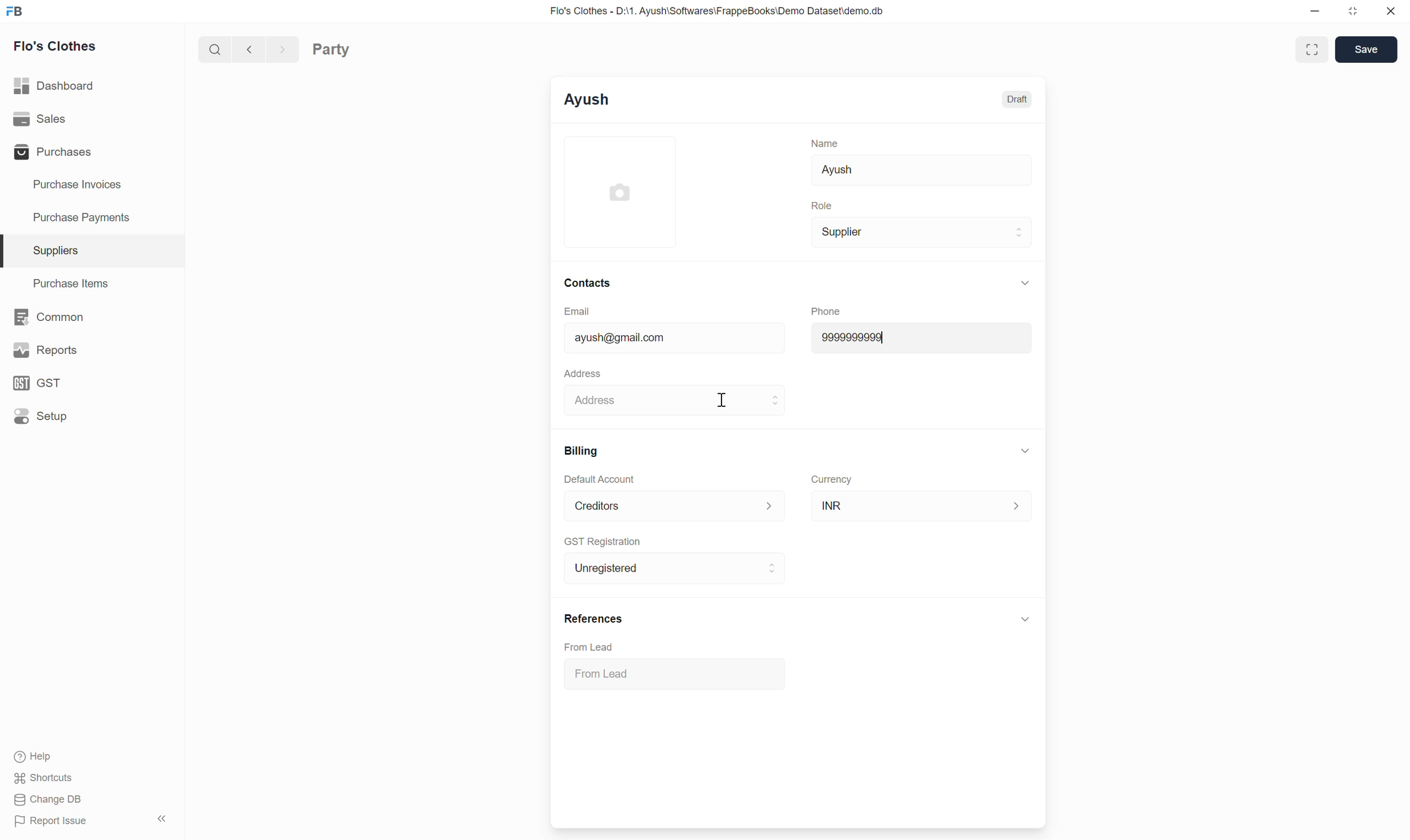 The width and height of the screenshot is (1410, 840). I want to click on Next, so click(283, 49).